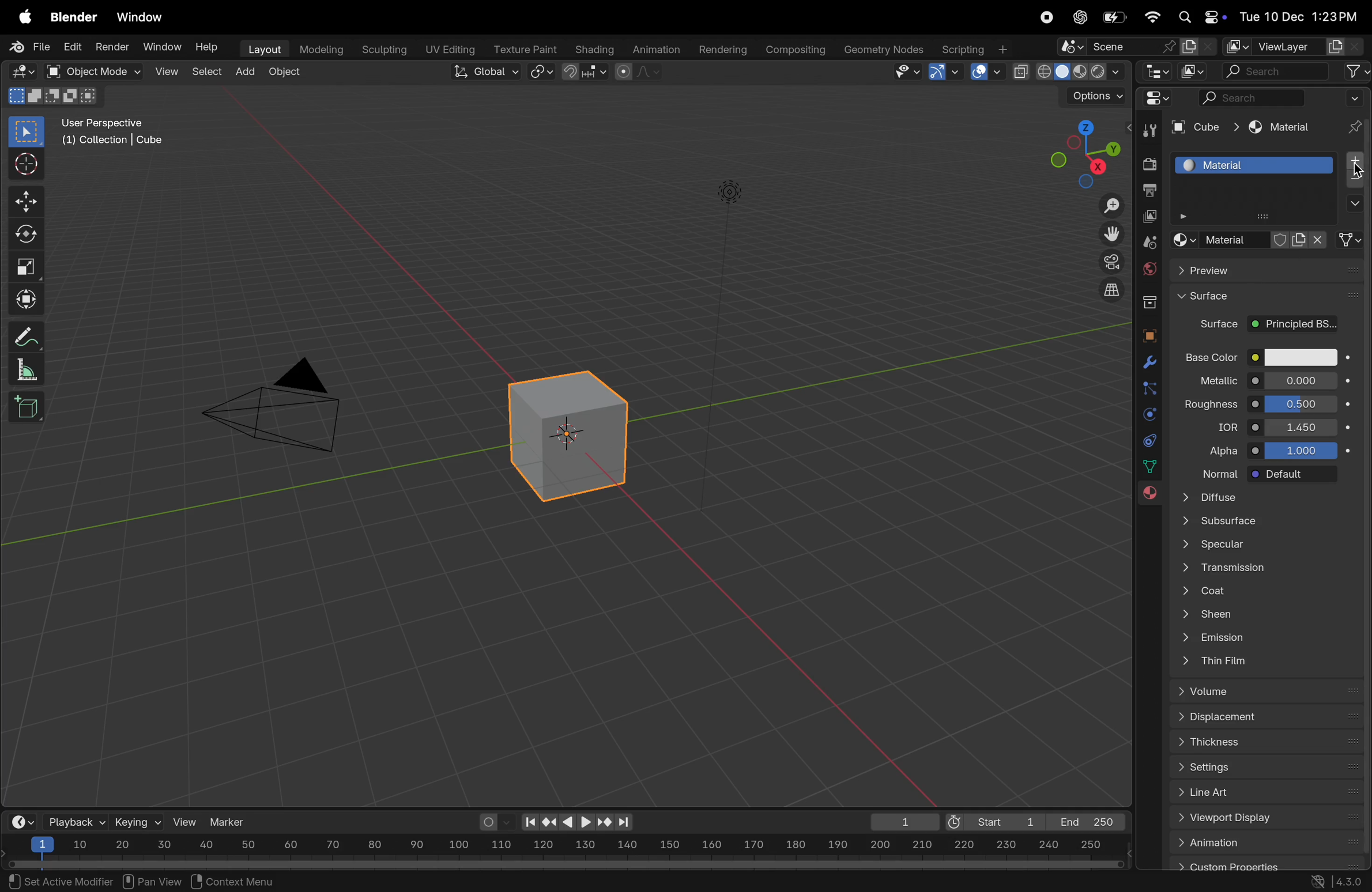 The width and height of the screenshot is (1372, 892). I want to click on rendering, so click(719, 48).